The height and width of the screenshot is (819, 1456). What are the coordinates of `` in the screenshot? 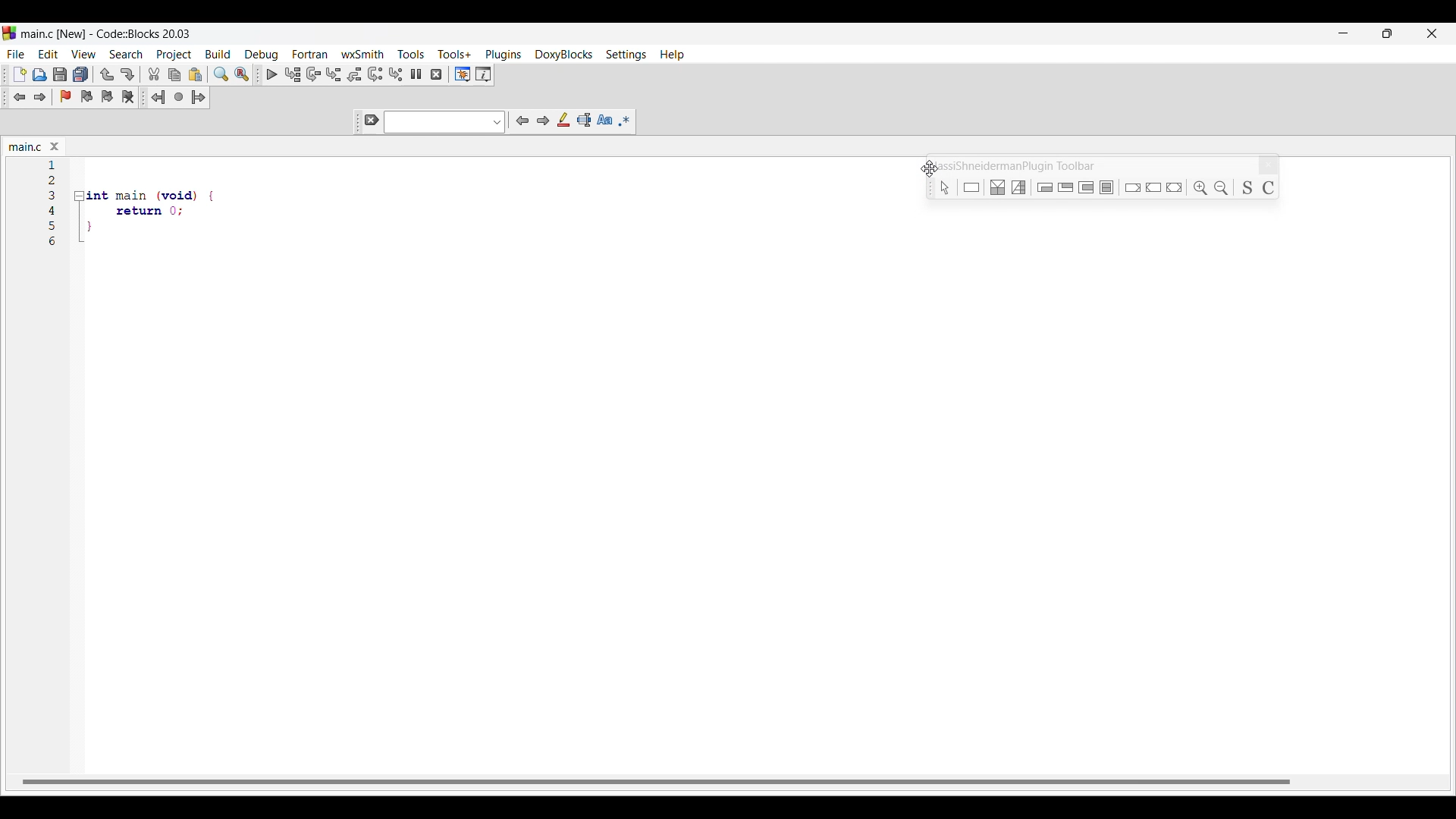 It's located at (1000, 187).